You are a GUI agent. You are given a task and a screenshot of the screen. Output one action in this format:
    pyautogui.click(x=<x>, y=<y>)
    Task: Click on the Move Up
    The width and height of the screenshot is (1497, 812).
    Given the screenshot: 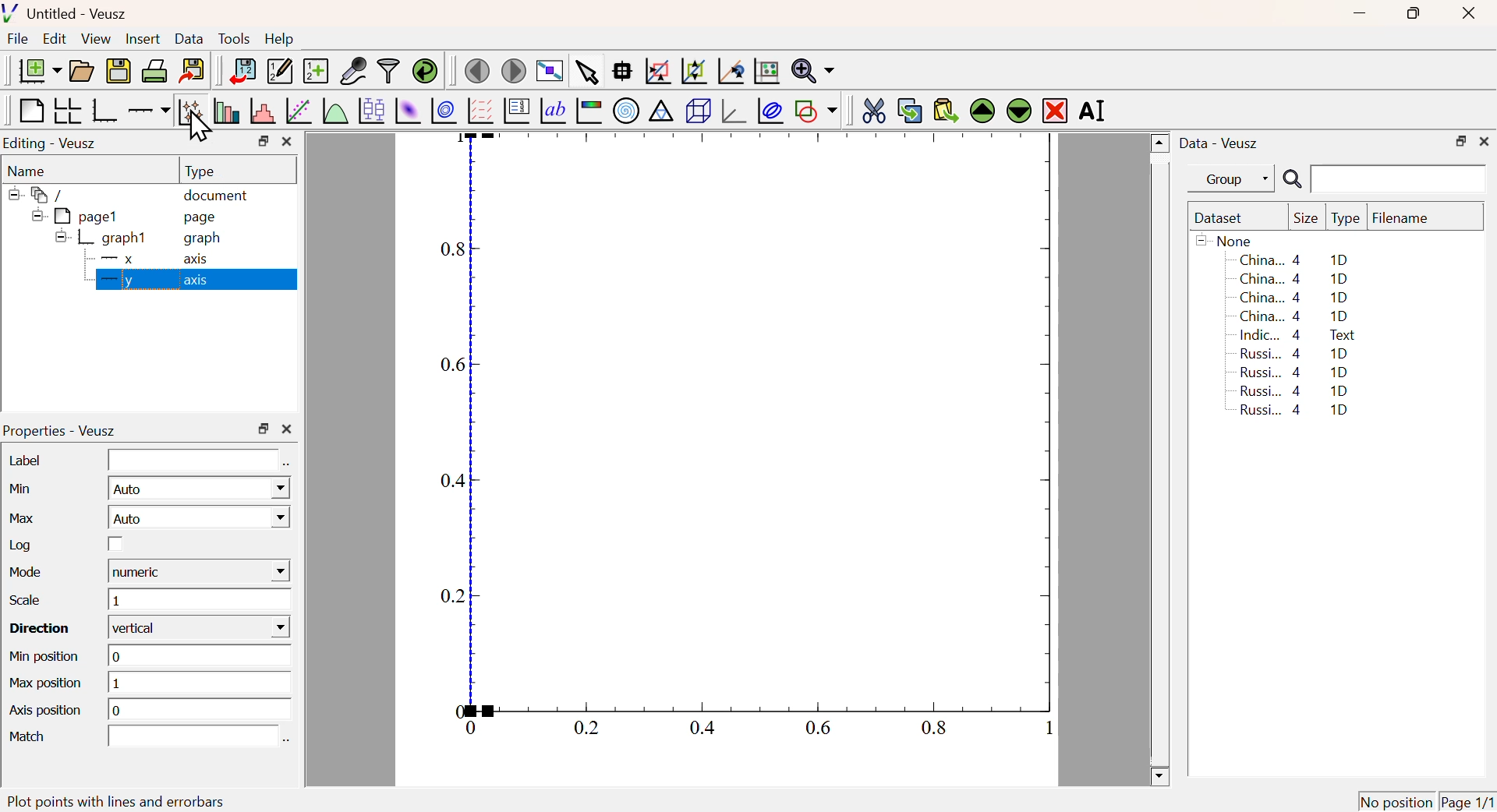 What is the action you would take?
    pyautogui.click(x=984, y=111)
    